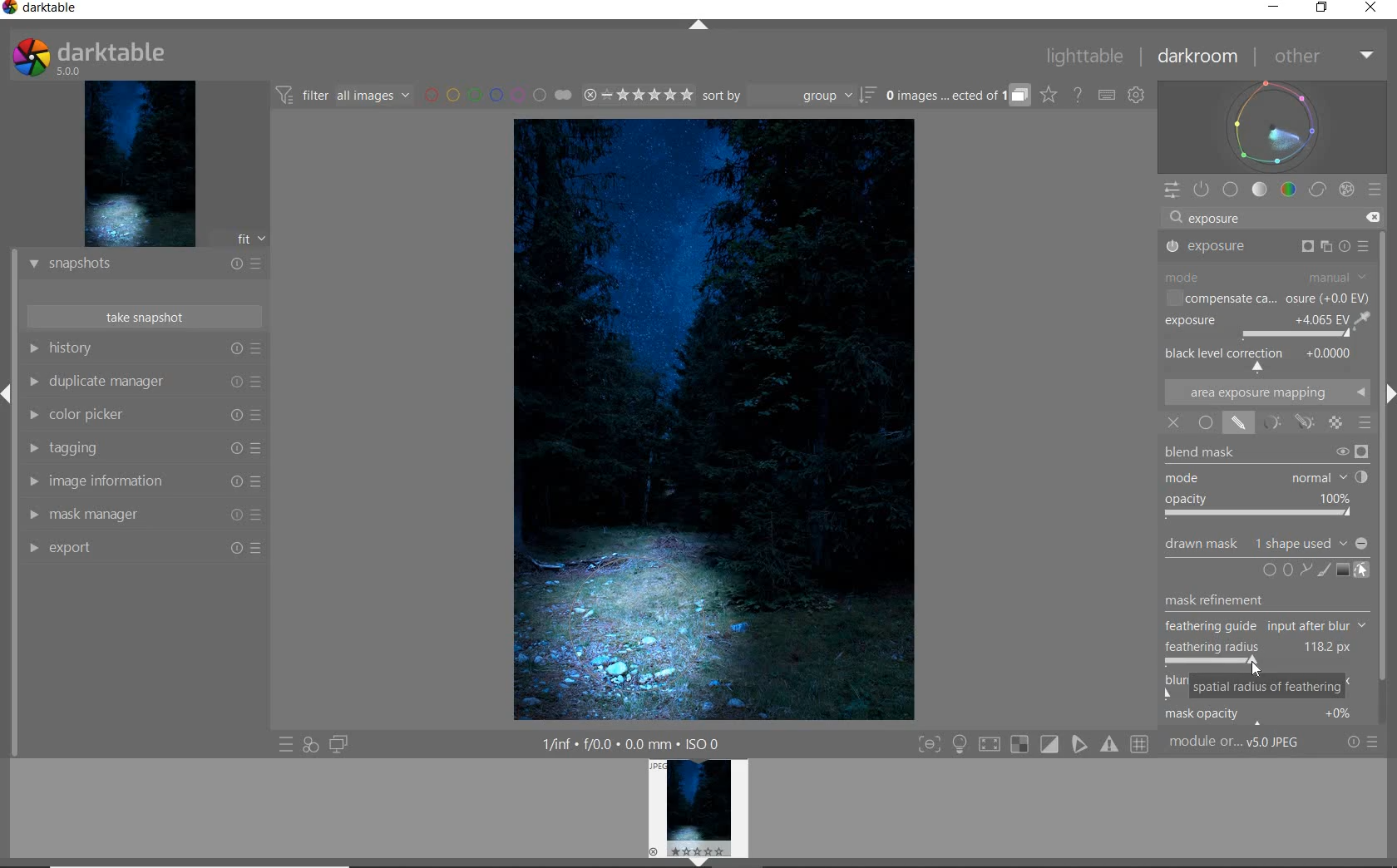 The width and height of the screenshot is (1397, 868). Describe the element at coordinates (1136, 95) in the screenshot. I see `SHOW GLOBAL PREFERENCES` at that location.